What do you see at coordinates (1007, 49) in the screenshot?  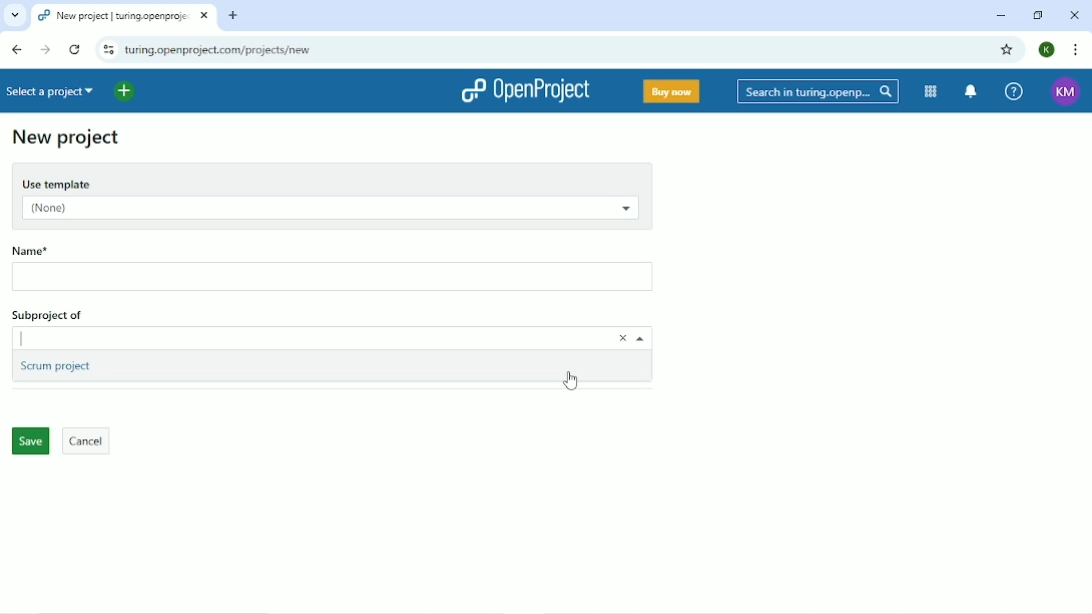 I see `Bookmark this tab` at bounding box center [1007, 49].